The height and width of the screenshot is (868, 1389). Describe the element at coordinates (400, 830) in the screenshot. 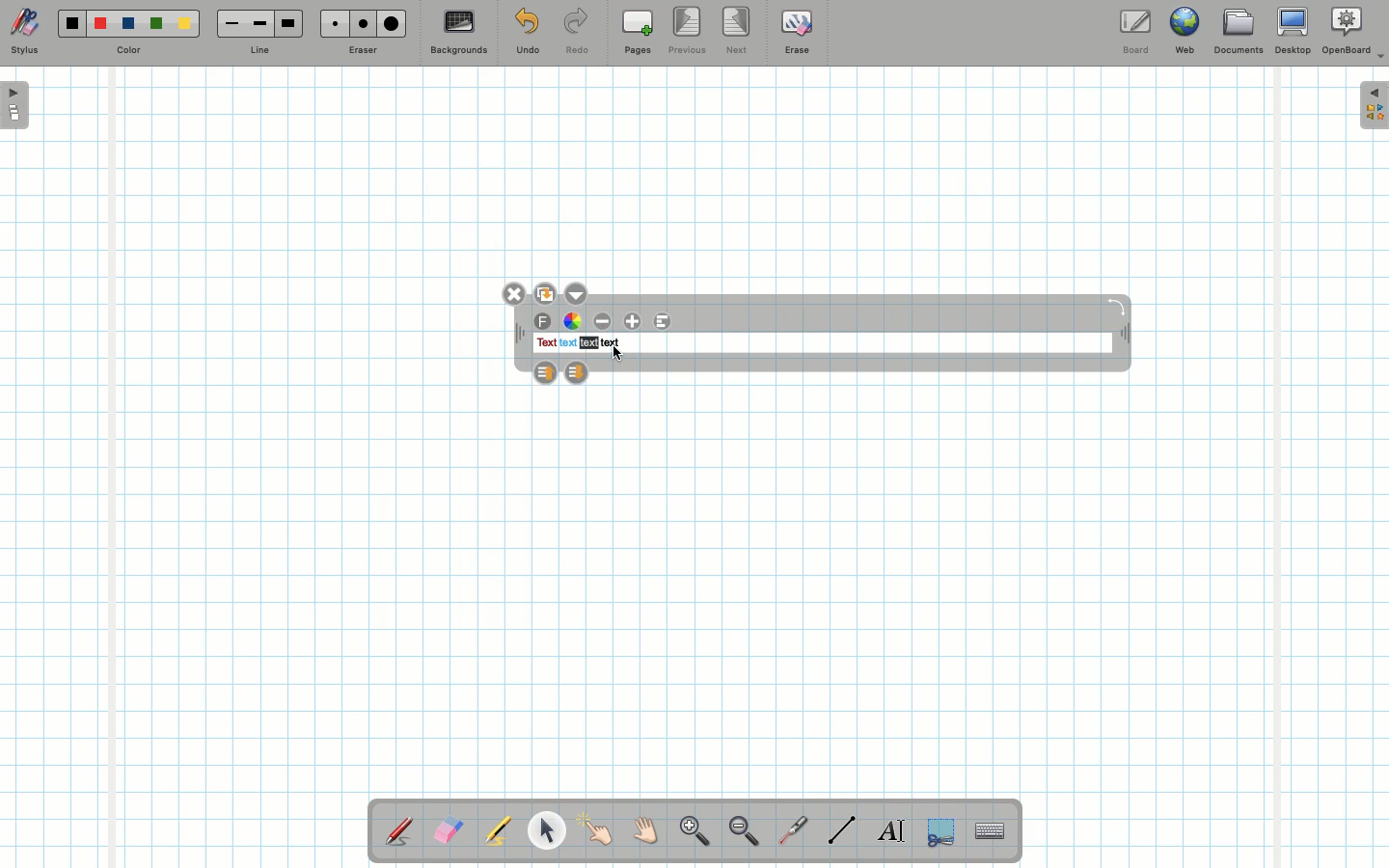

I see `Stylus` at that location.